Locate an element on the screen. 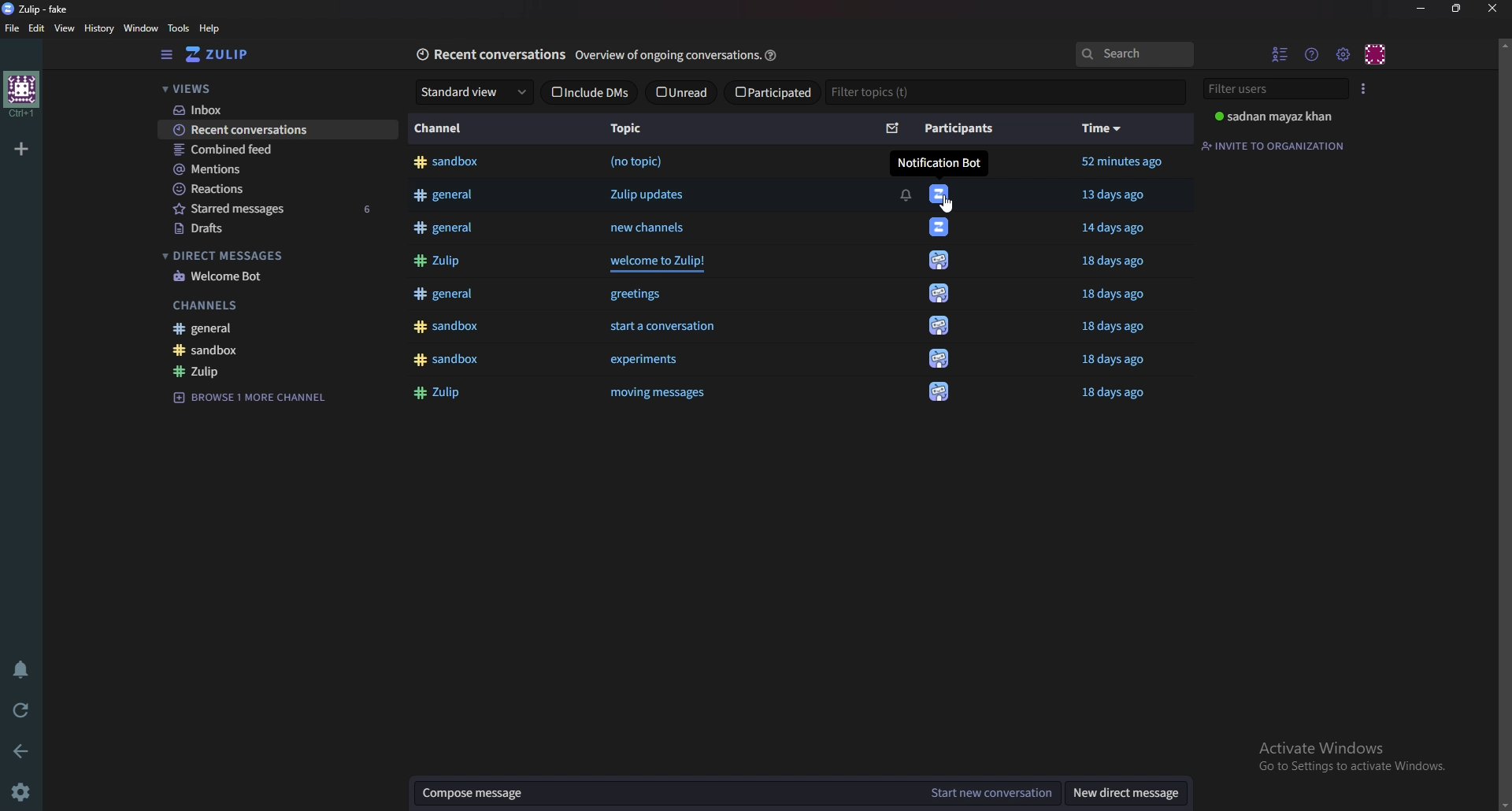 This screenshot has width=1512, height=811. Participated is located at coordinates (771, 91).